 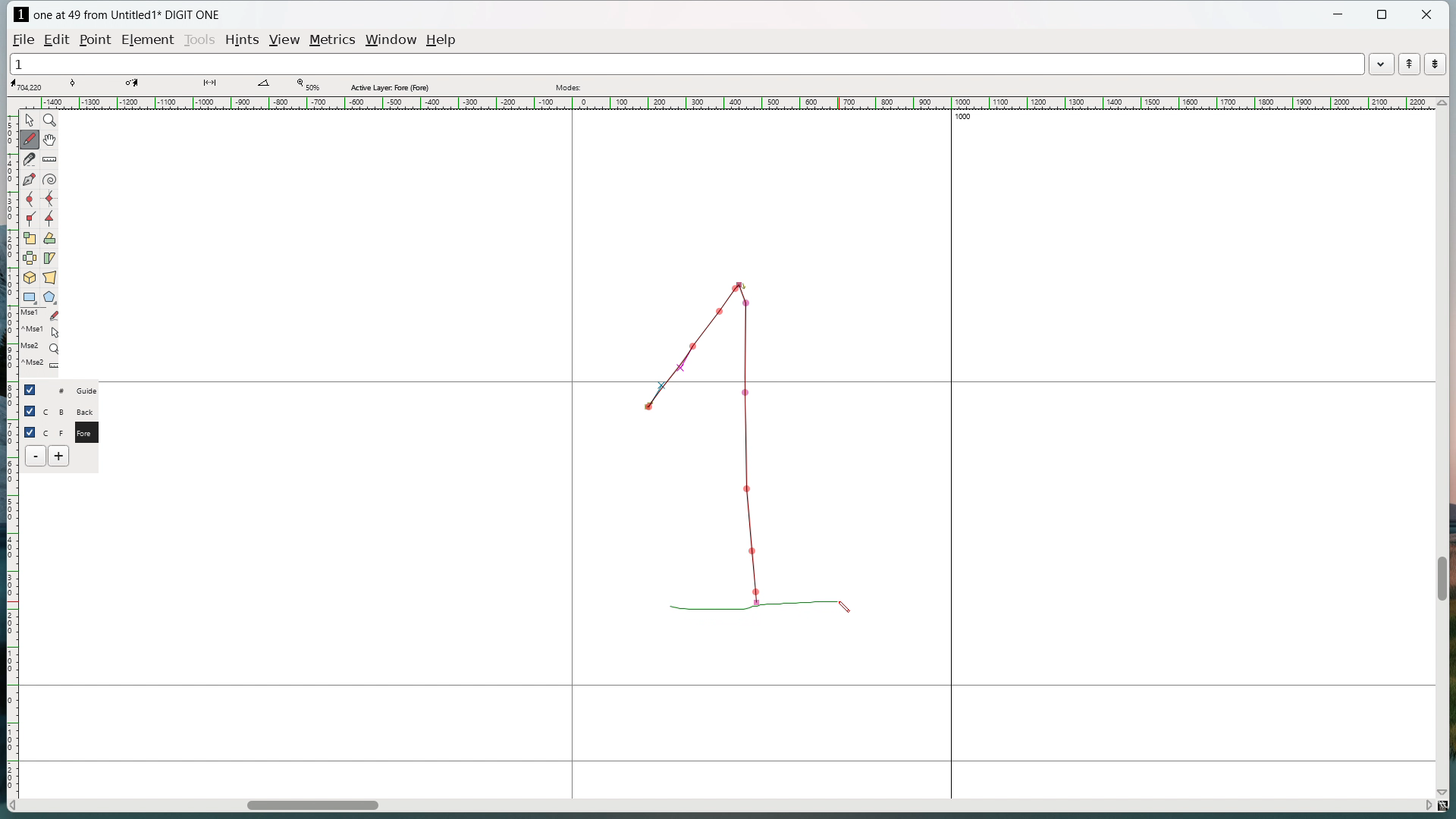 I want to click on vertical ruler, so click(x=11, y=446).